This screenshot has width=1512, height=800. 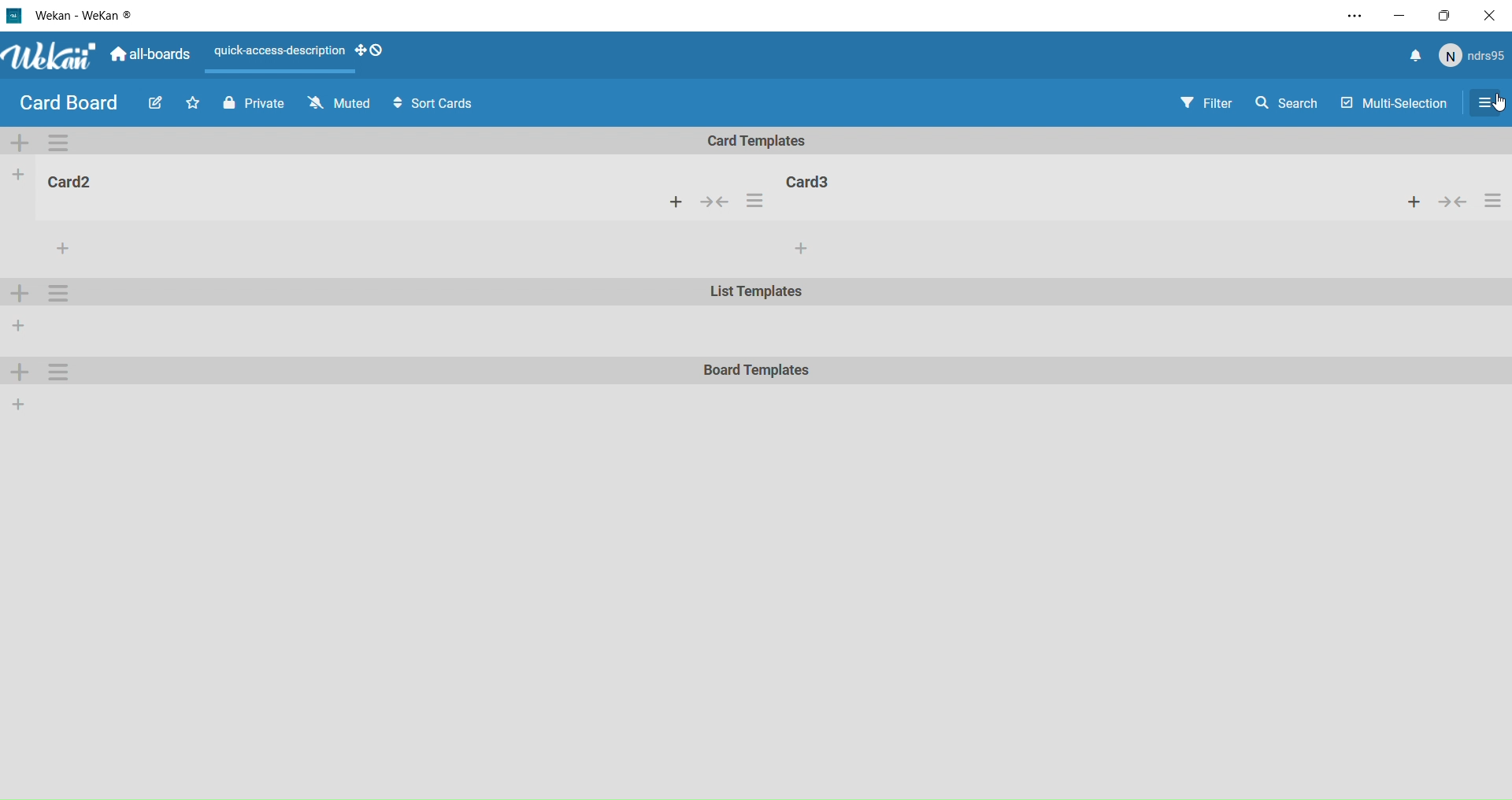 What do you see at coordinates (1348, 17) in the screenshot?
I see `Settings and more` at bounding box center [1348, 17].